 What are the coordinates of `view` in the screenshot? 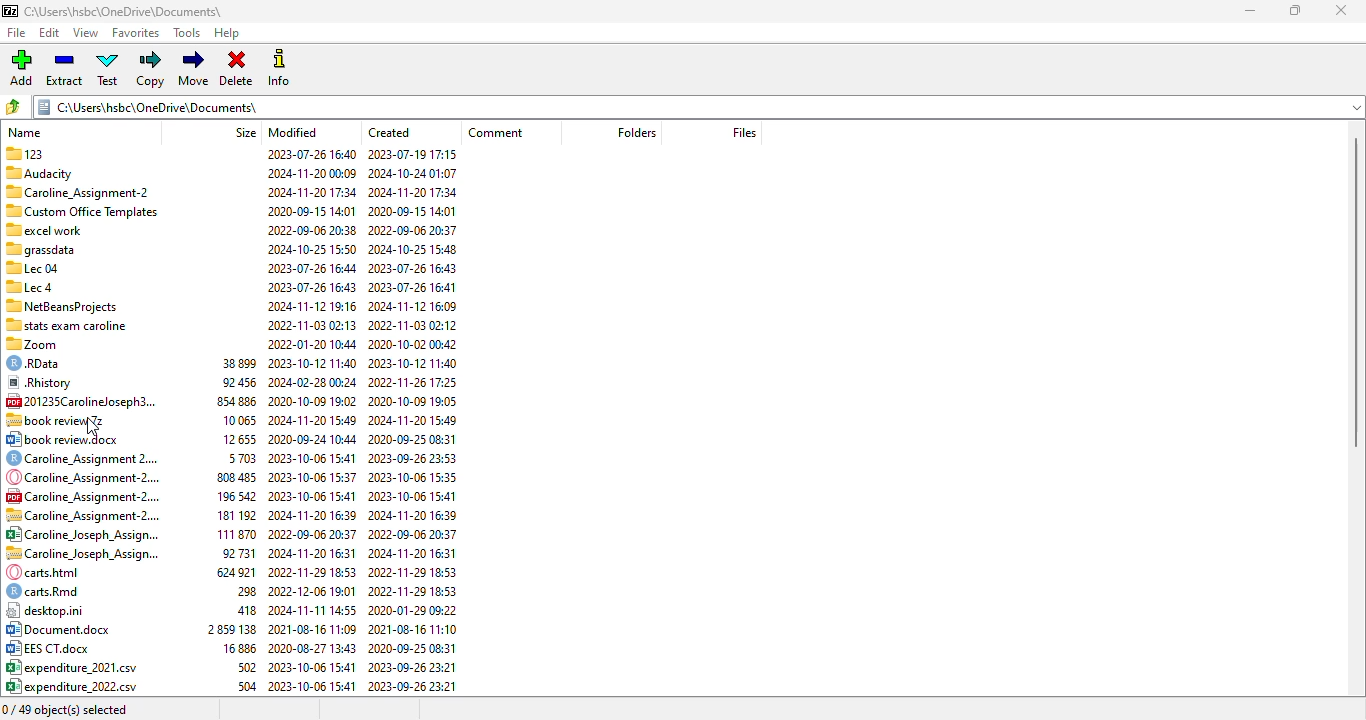 It's located at (85, 33).